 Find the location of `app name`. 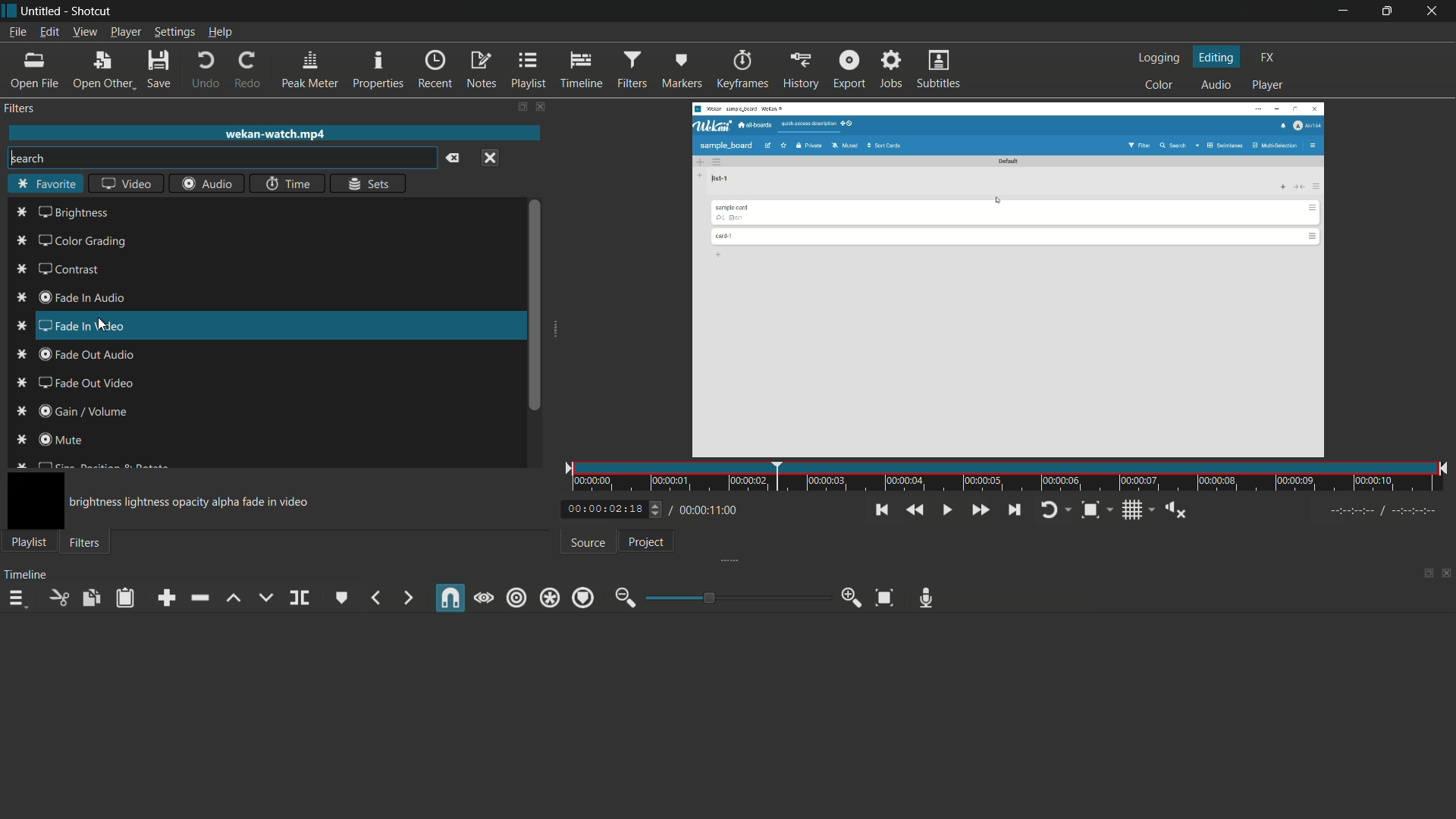

app name is located at coordinates (93, 11).